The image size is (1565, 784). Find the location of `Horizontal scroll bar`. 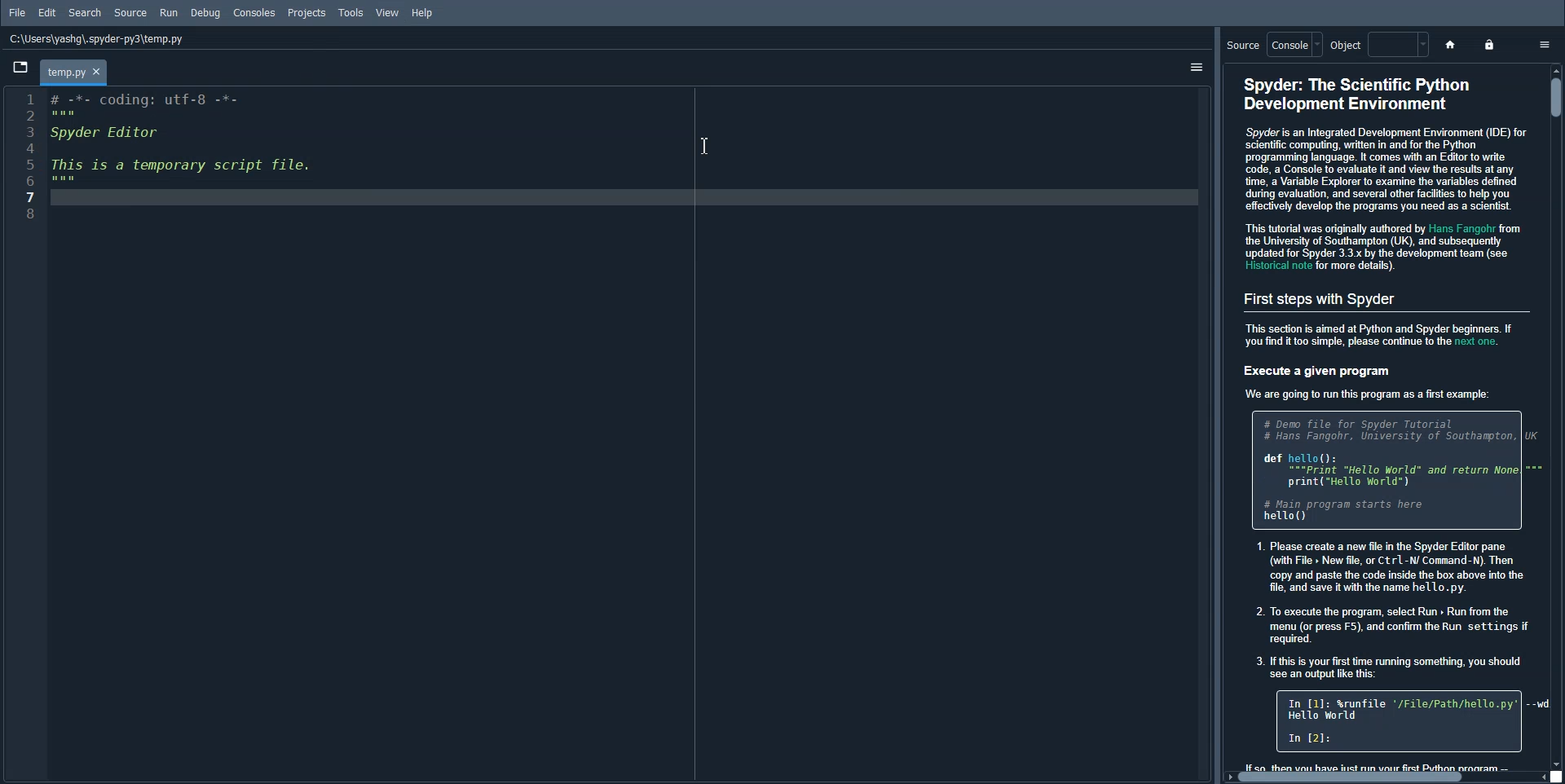

Horizontal scroll bar is located at coordinates (1354, 777).